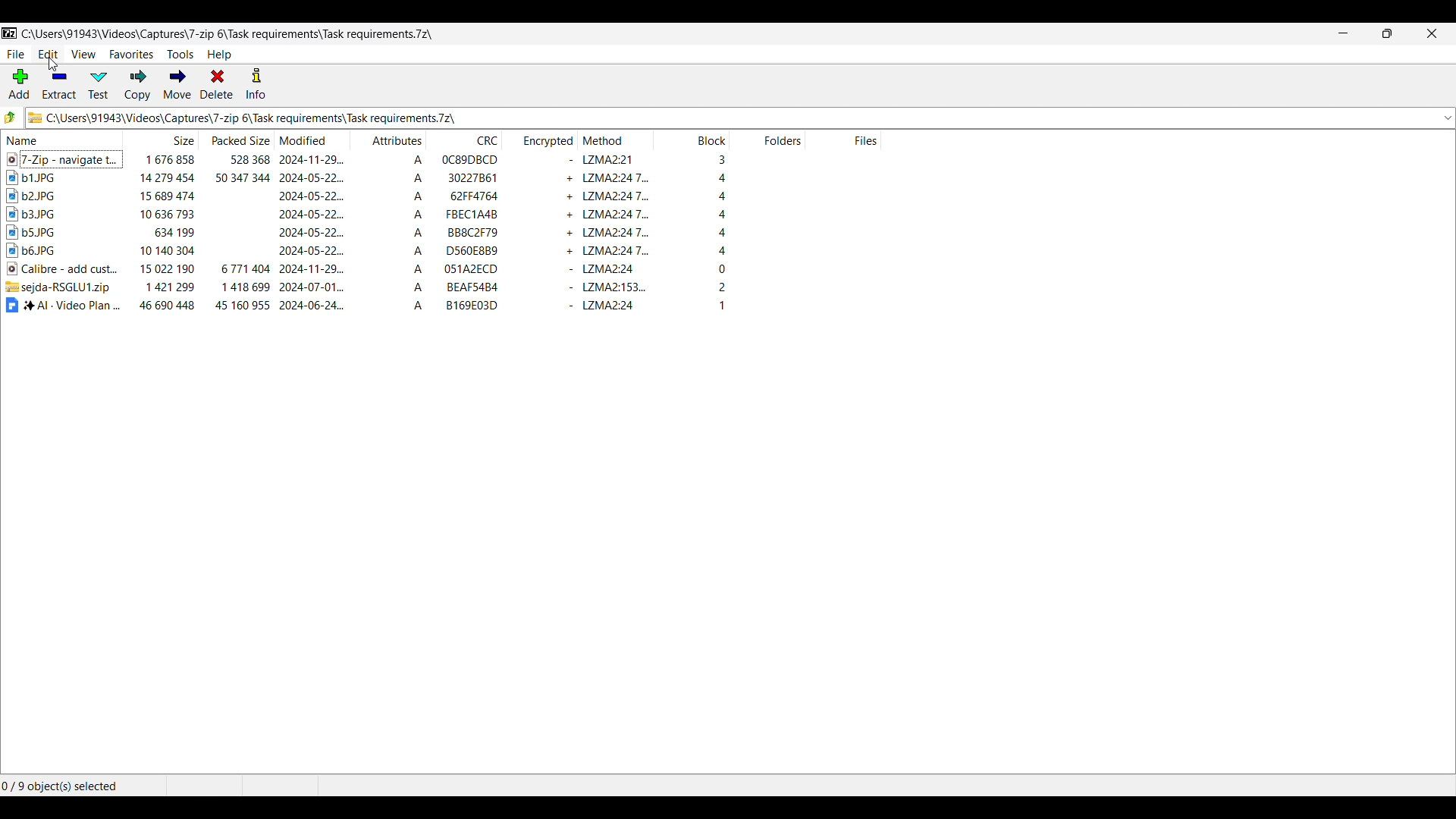 Image resolution: width=1456 pixels, height=819 pixels. I want to click on CRC, so click(465, 235).